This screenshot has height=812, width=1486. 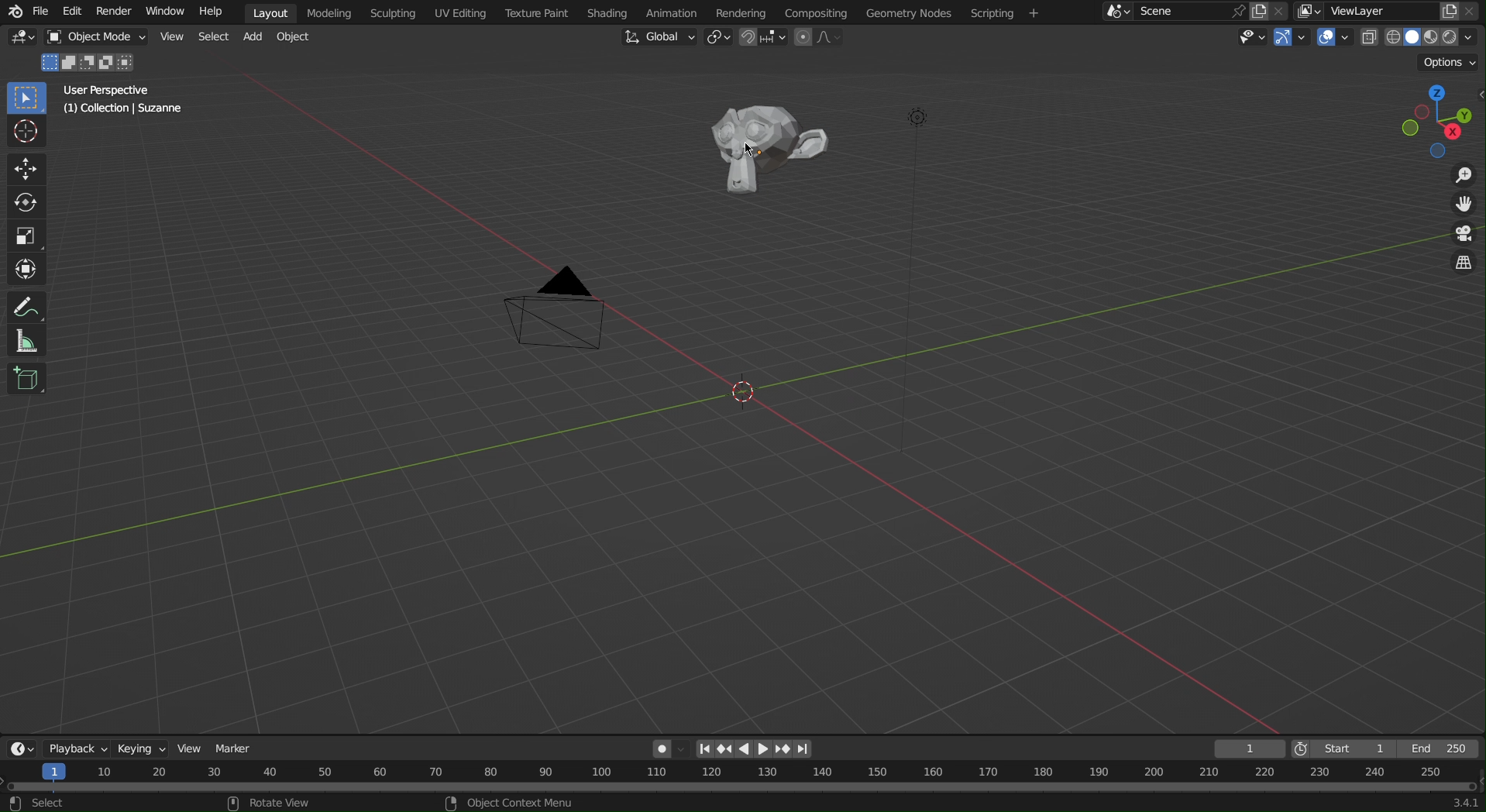 I want to click on Layout, so click(x=269, y=12).